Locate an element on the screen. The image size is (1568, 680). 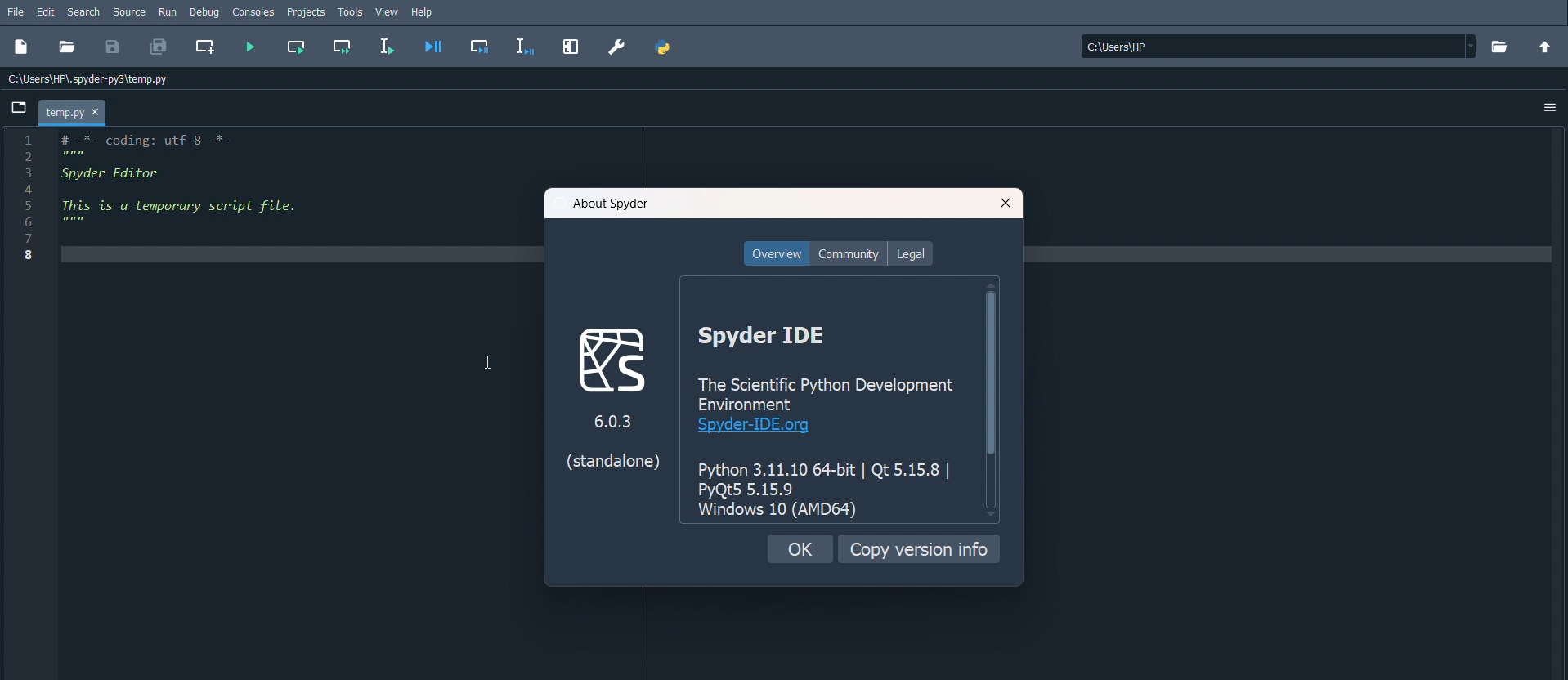
Copy version info is located at coordinates (918, 548).